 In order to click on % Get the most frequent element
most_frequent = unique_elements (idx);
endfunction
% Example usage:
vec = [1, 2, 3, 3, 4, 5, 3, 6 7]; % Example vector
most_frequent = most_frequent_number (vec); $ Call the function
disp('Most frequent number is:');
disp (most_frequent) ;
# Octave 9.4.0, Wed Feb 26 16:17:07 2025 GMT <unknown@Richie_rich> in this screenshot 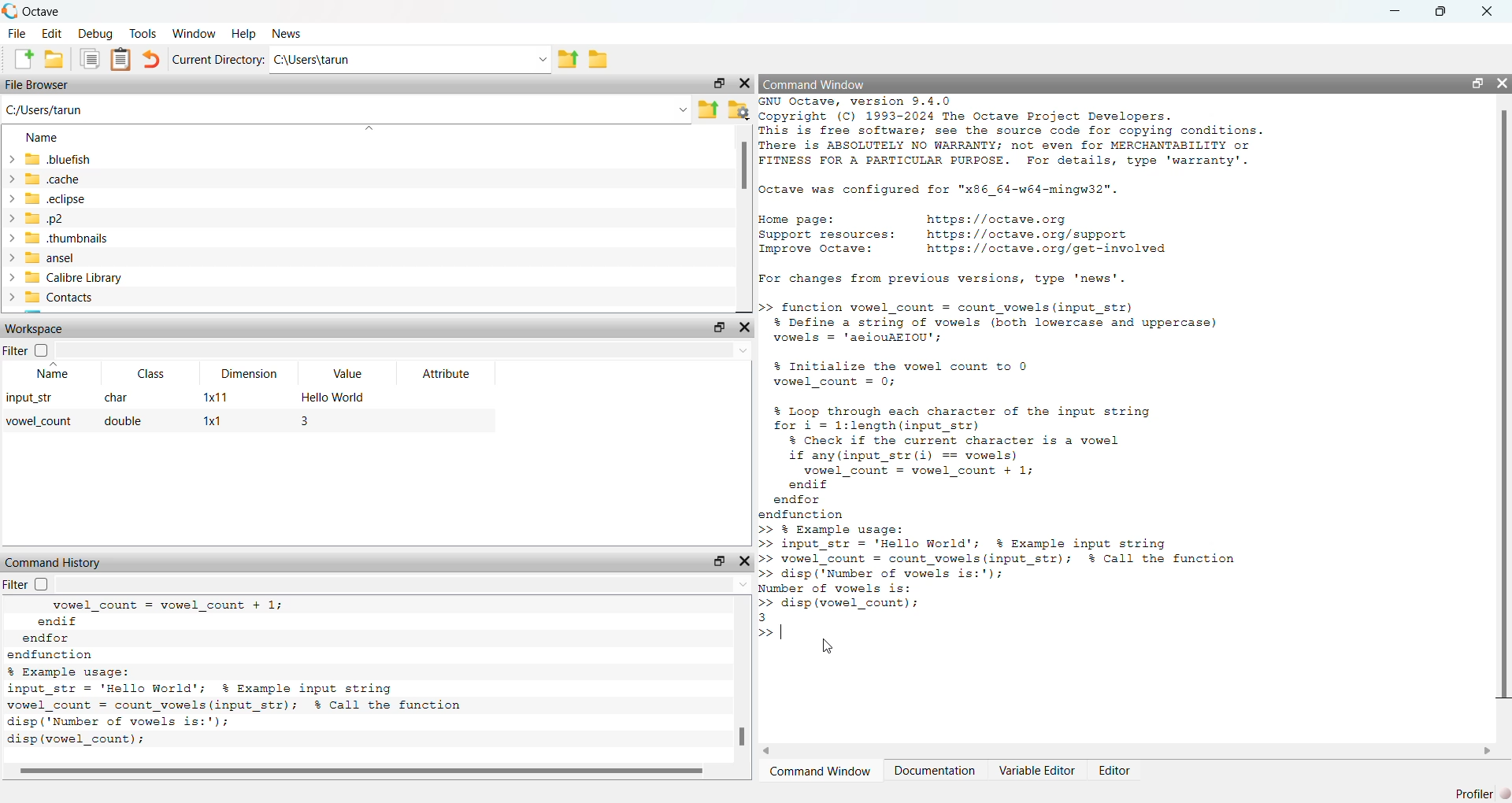, I will do `click(265, 673)`.